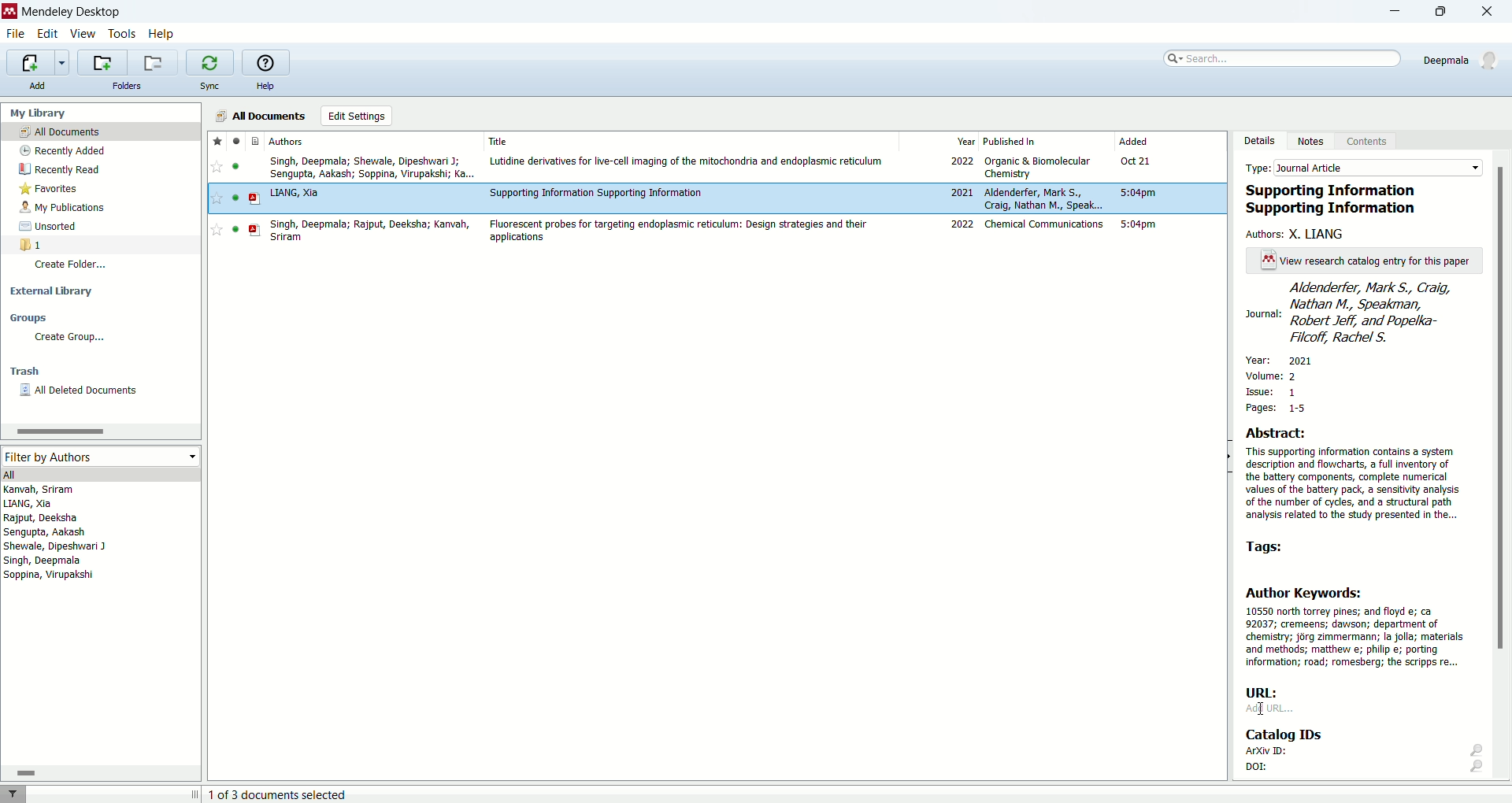 This screenshot has height=803, width=1512. Describe the element at coordinates (31, 244) in the screenshot. I see `1` at that location.